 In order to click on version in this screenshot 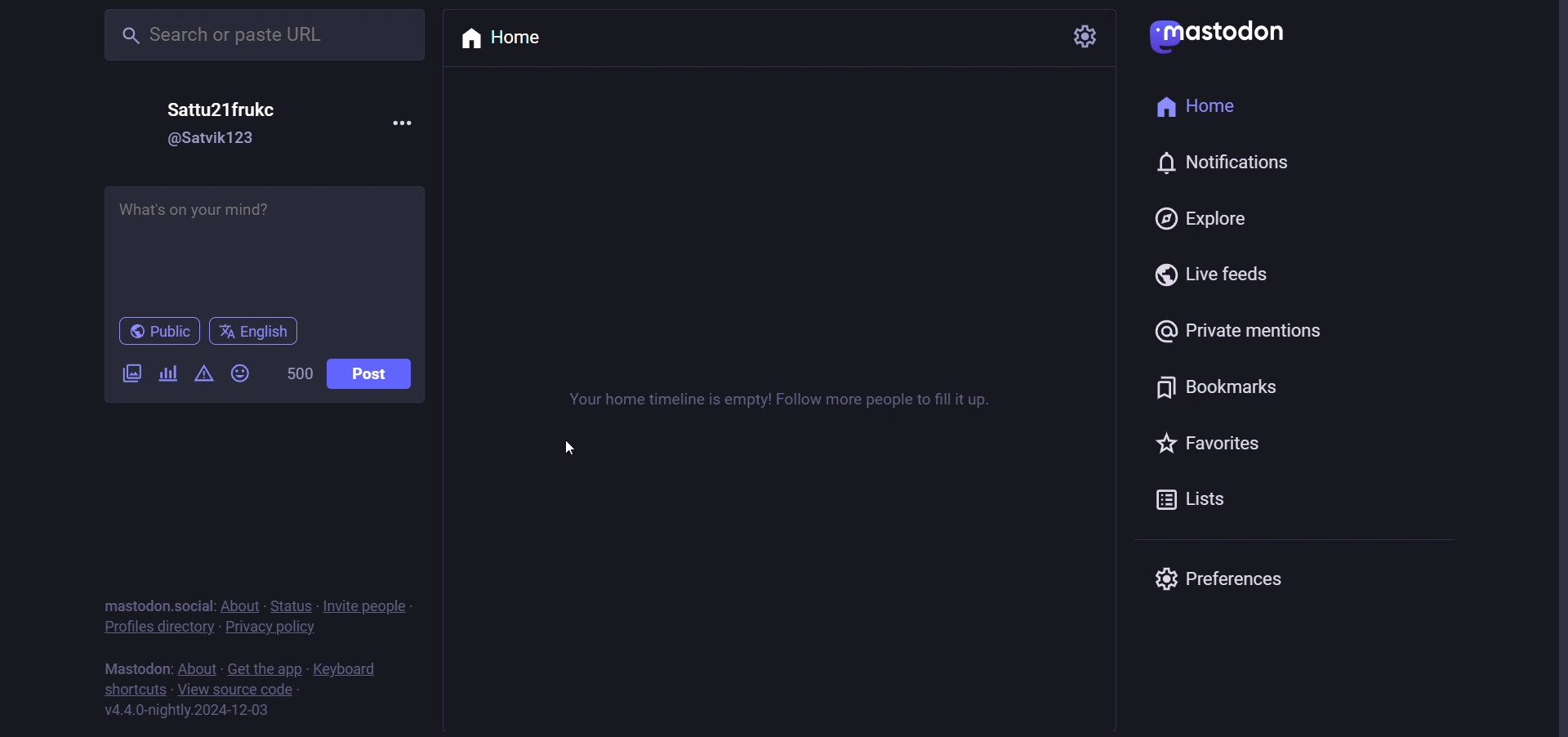, I will do `click(191, 714)`.